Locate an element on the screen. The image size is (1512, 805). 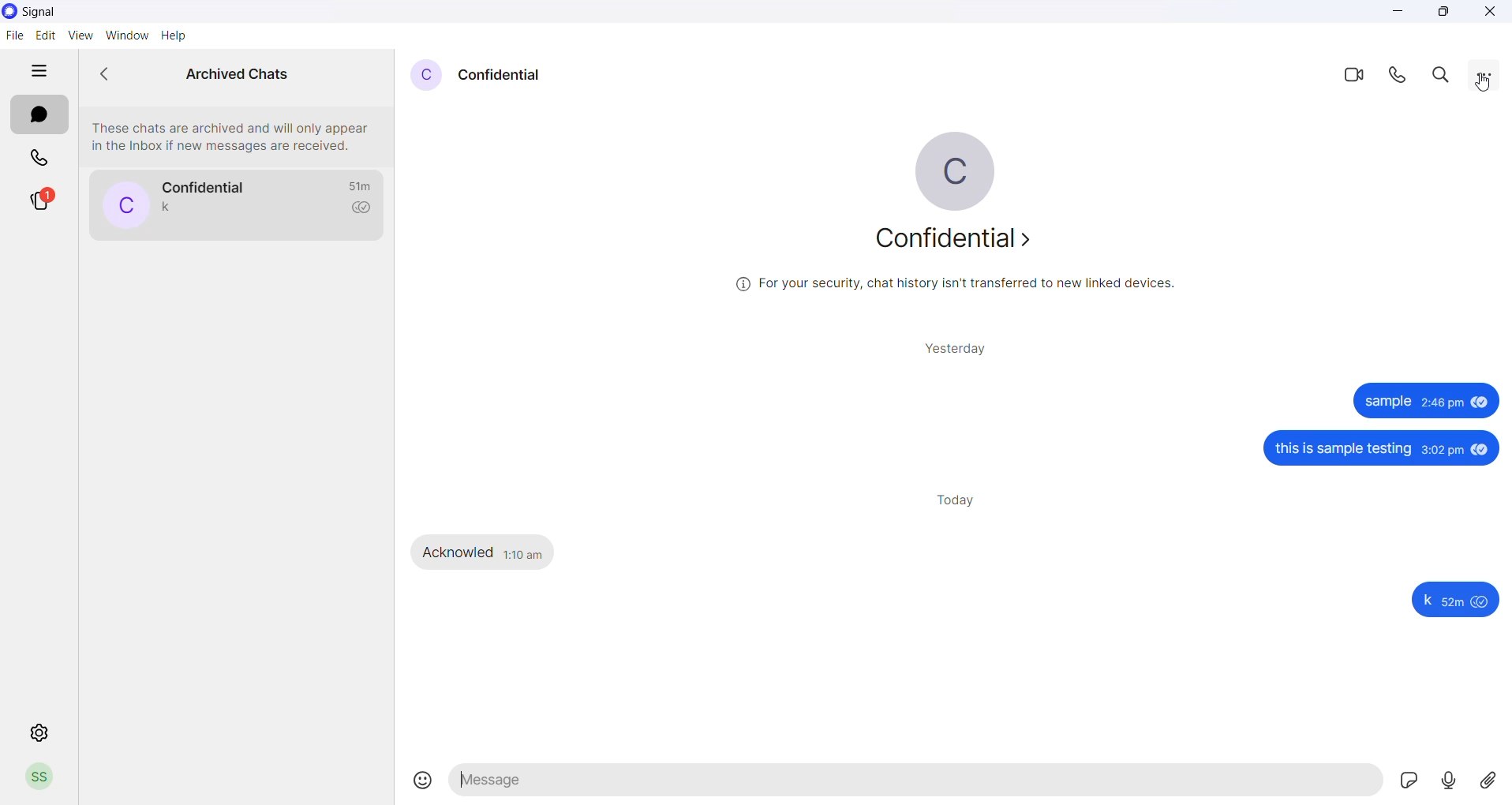
settings is located at coordinates (41, 731).